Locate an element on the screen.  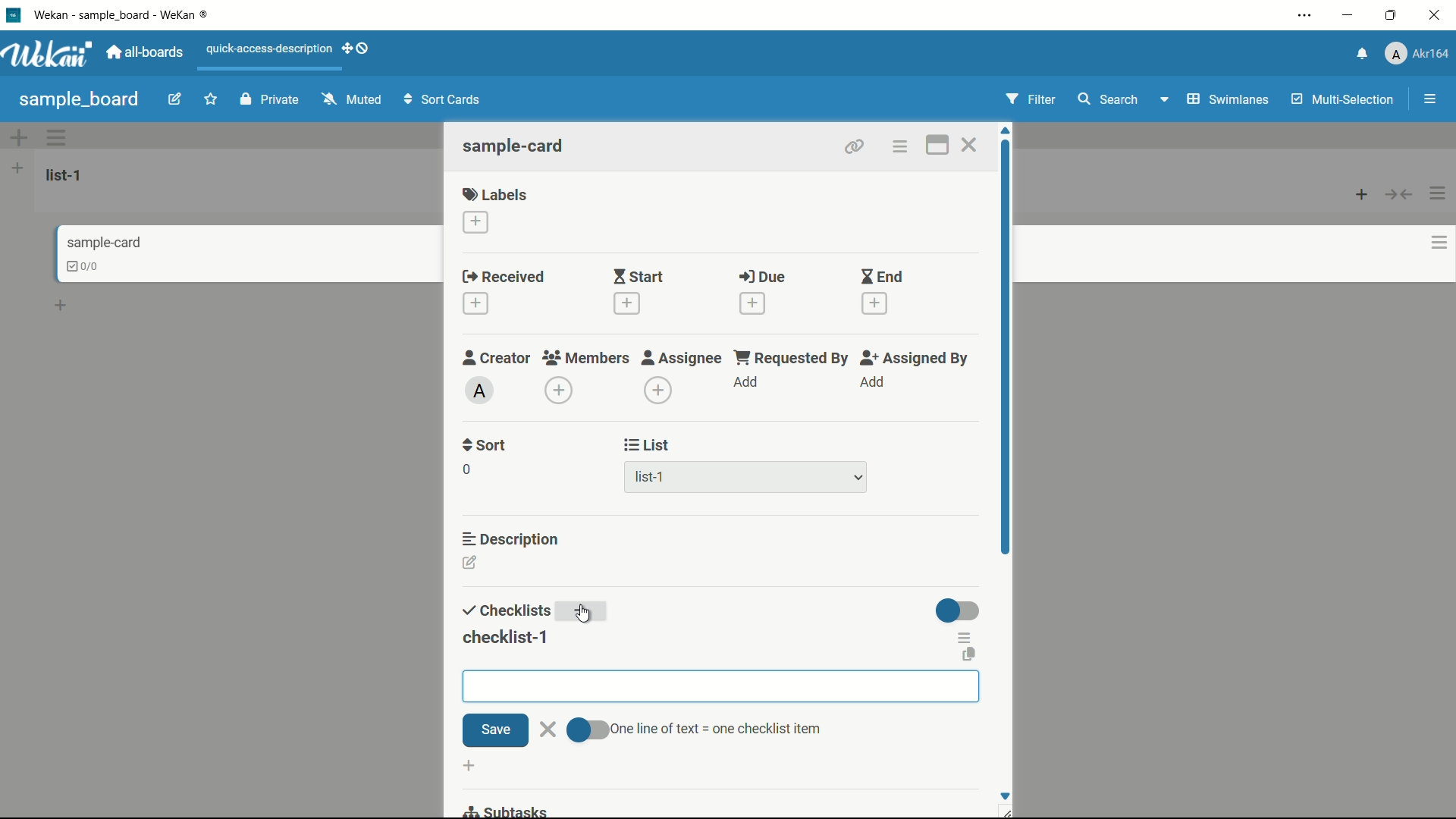
add date is located at coordinates (625, 303).